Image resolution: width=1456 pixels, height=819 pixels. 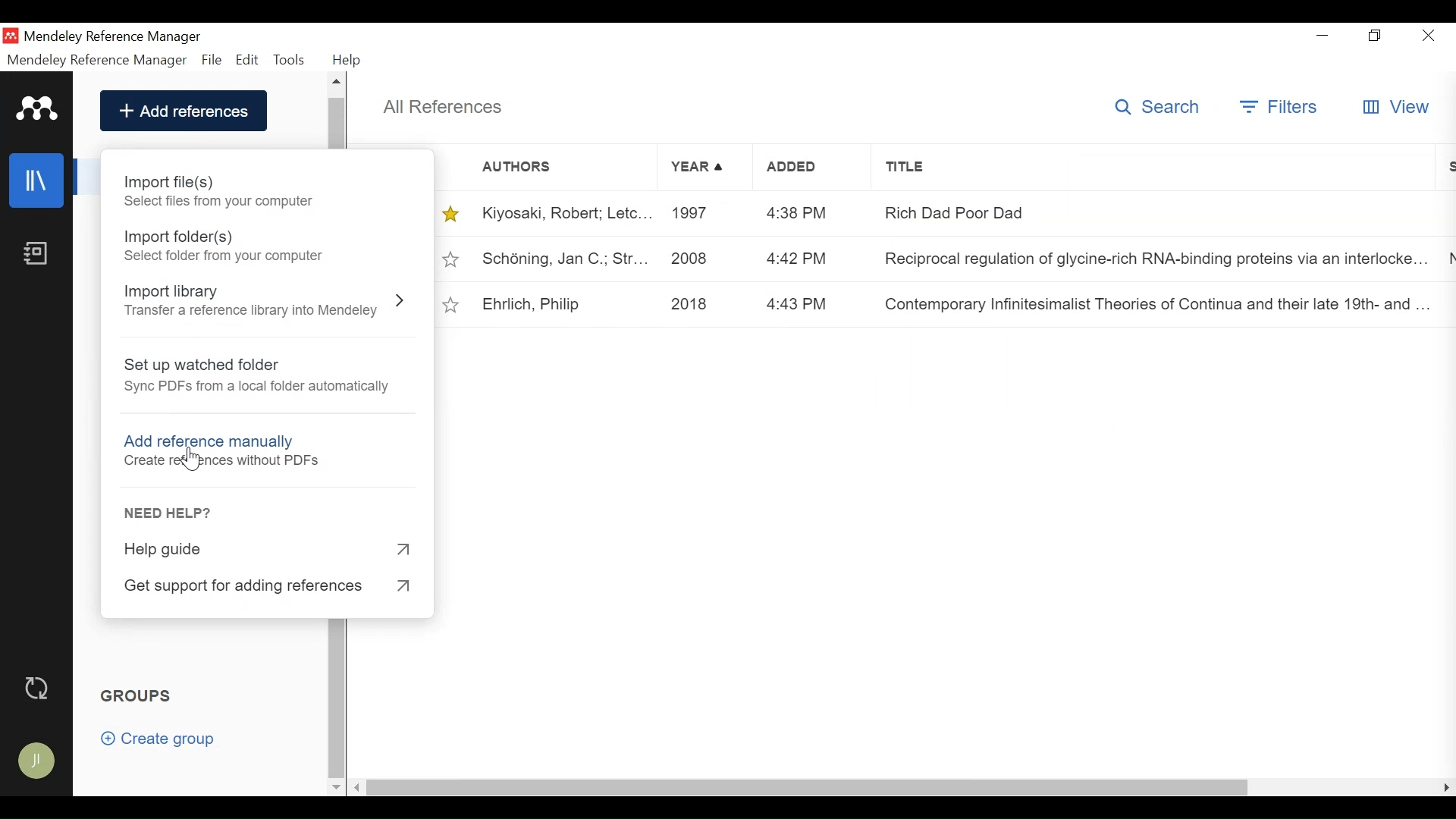 What do you see at coordinates (453, 215) in the screenshot?
I see `Toggle favorites` at bounding box center [453, 215].